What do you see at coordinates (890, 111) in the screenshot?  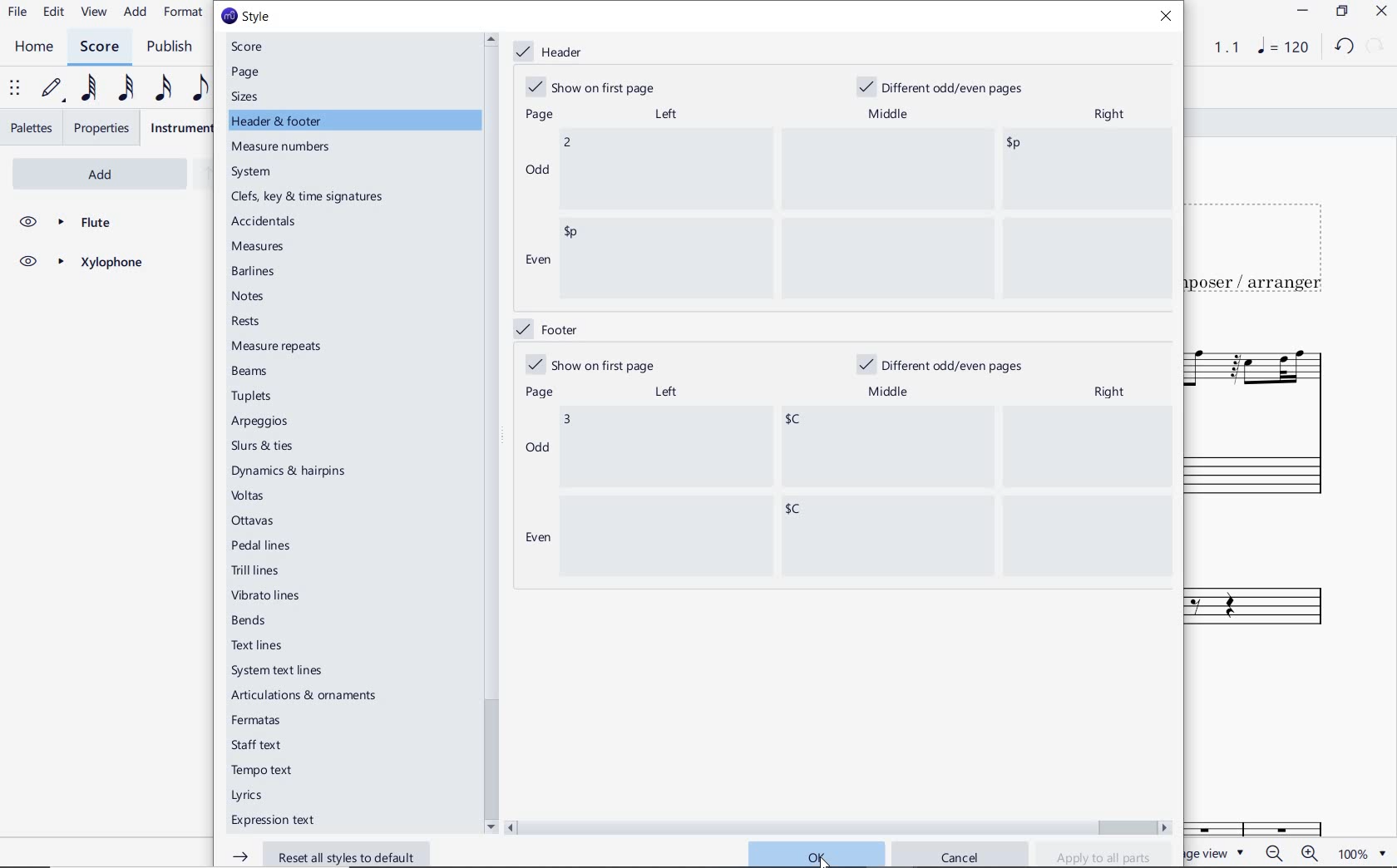 I see `middle` at bounding box center [890, 111].